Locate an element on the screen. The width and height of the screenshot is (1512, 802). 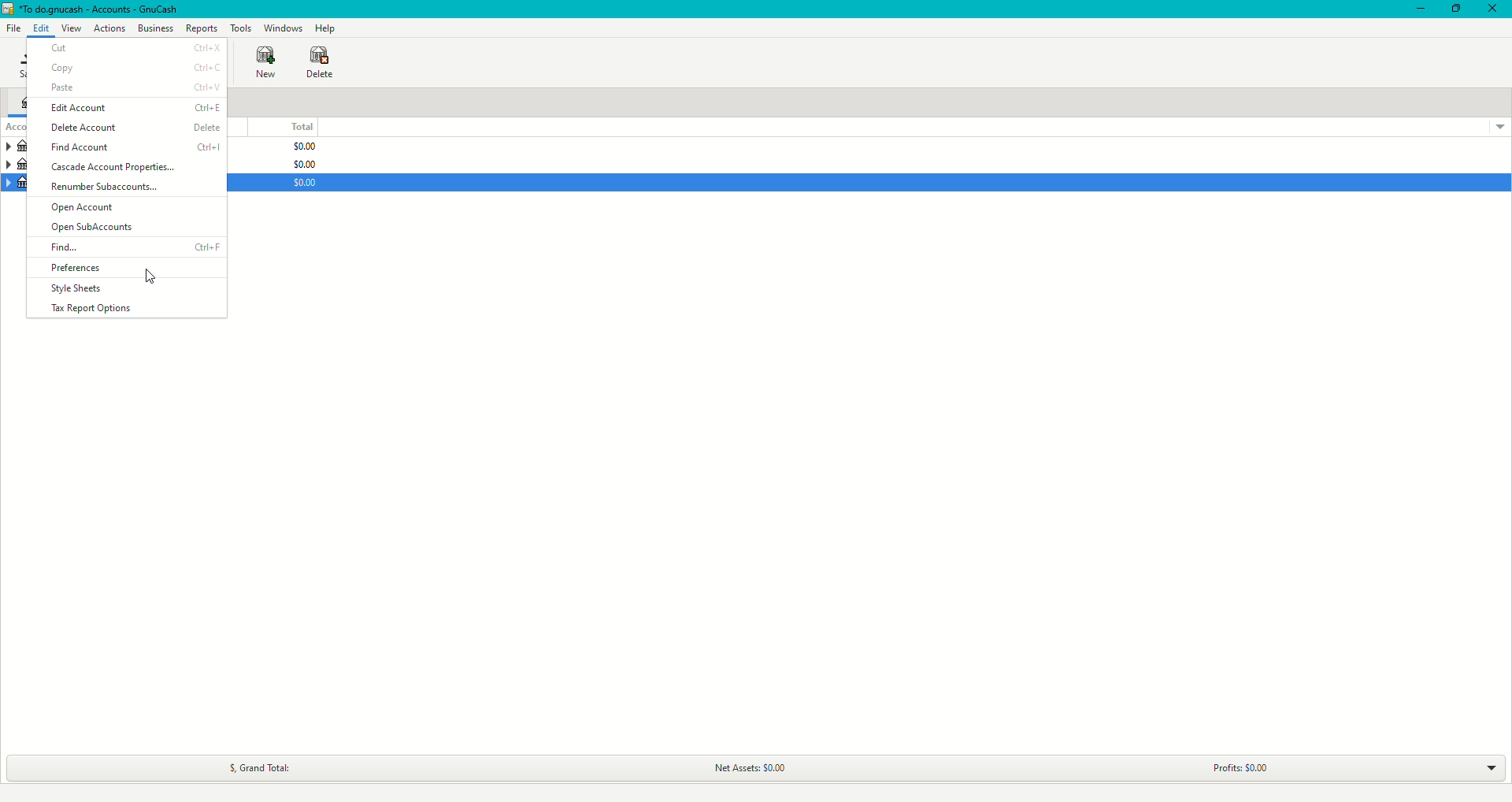
Help is located at coordinates (326, 28).